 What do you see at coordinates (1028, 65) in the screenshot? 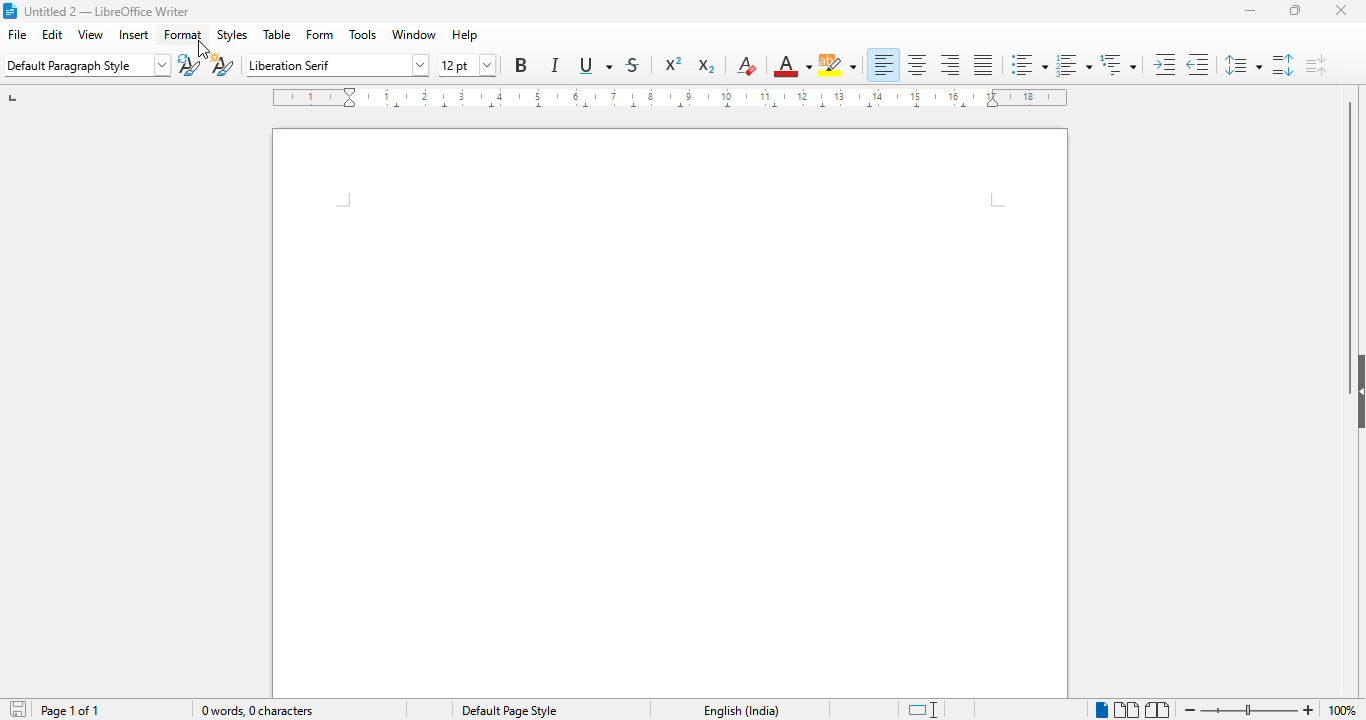
I see `toggle unordered list` at bounding box center [1028, 65].